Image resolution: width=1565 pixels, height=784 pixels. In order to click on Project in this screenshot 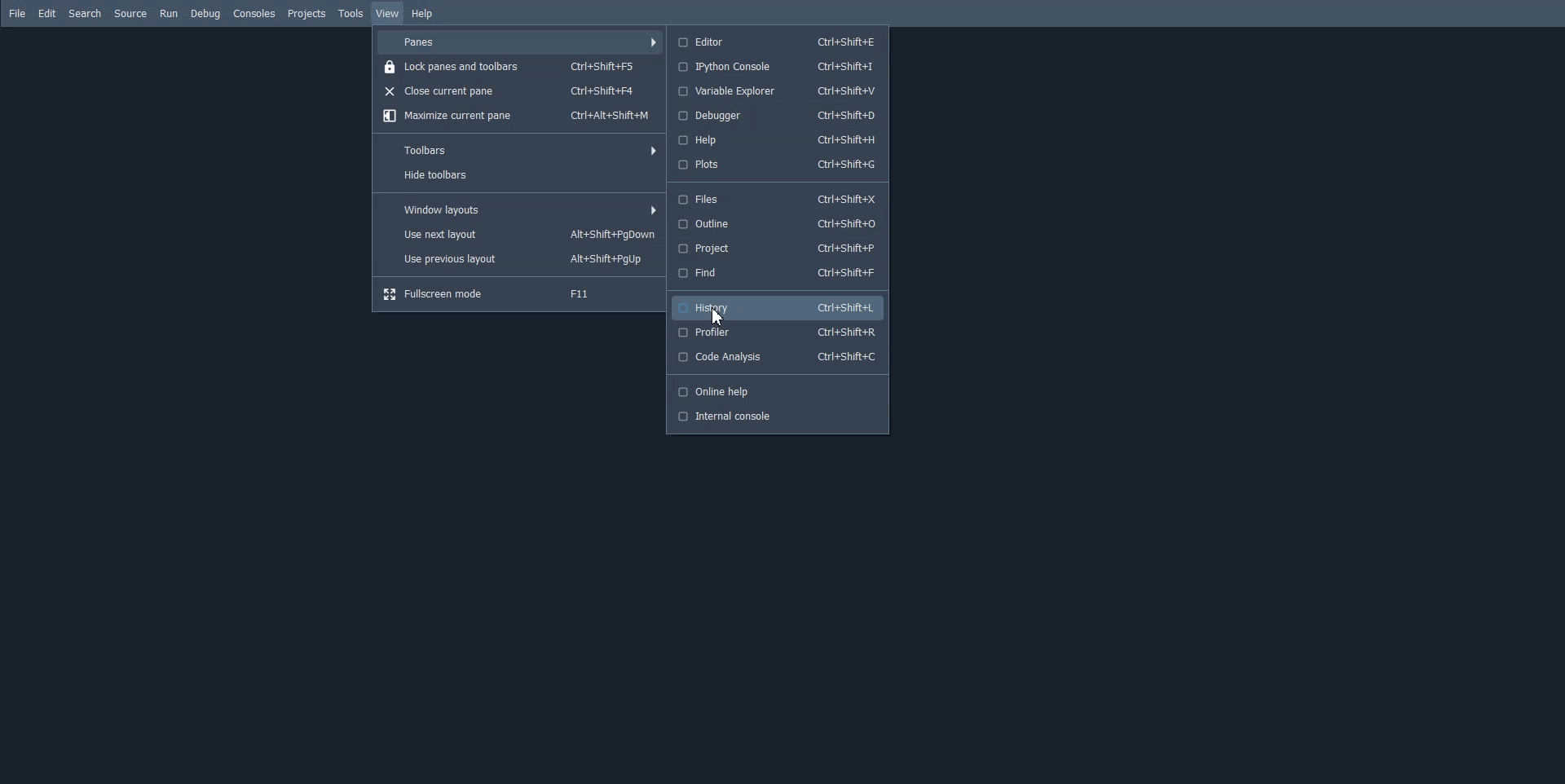, I will do `click(775, 249)`.